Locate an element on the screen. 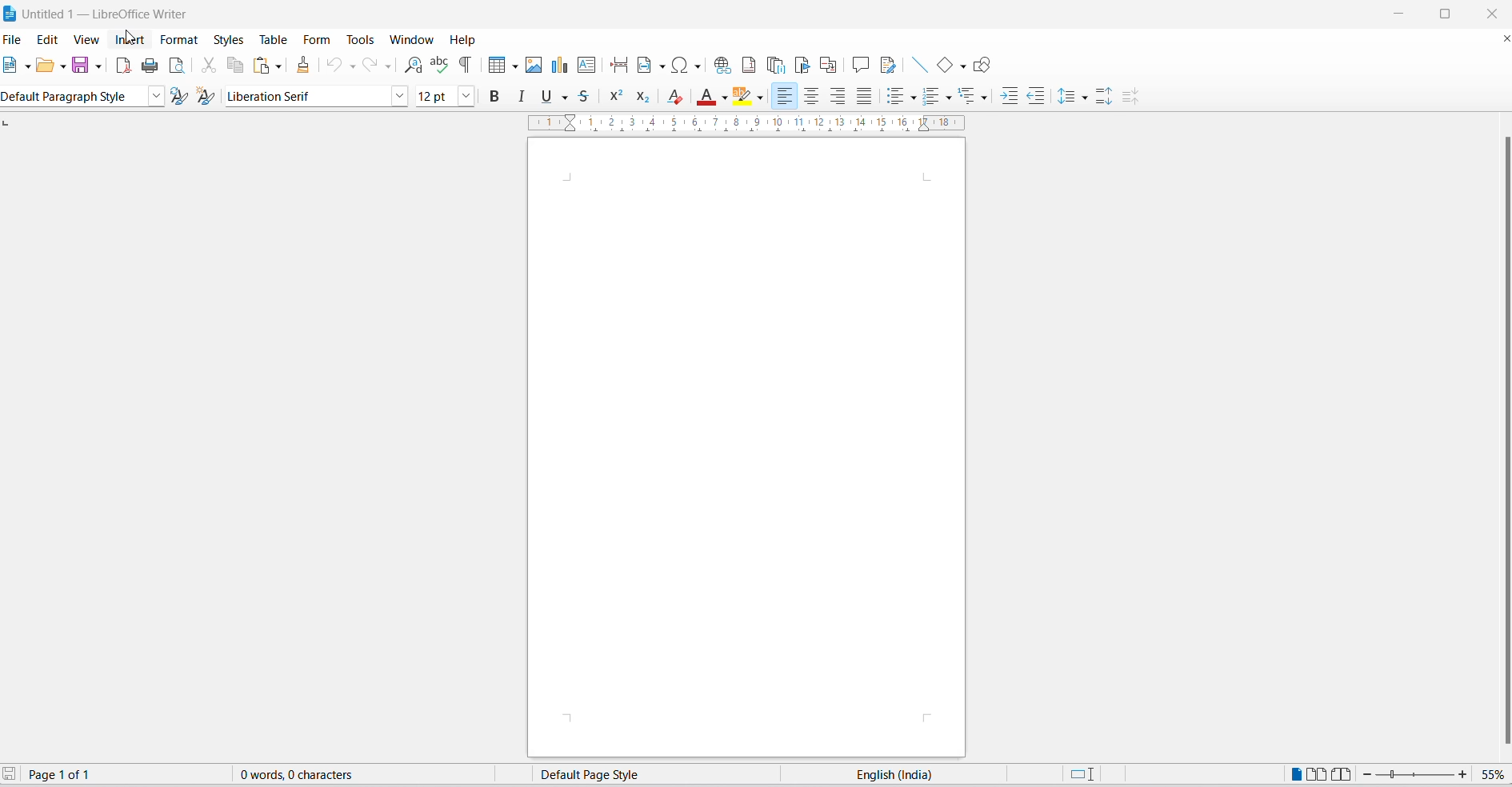 The width and height of the screenshot is (1512, 787). create new style from selection is located at coordinates (210, 97).